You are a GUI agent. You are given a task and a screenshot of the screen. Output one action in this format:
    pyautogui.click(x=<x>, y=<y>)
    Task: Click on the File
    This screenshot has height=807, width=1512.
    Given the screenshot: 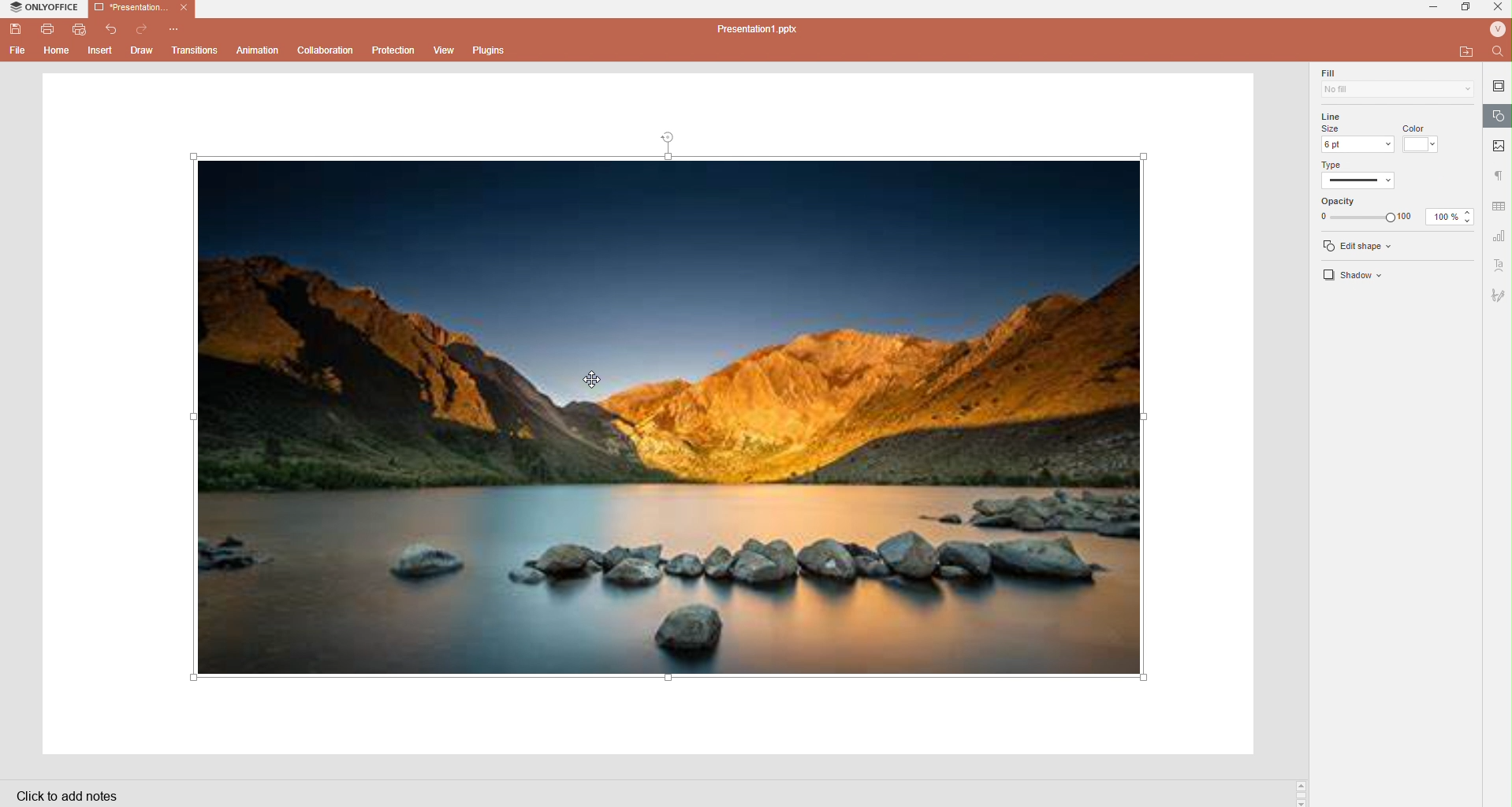 What is the action you would take?
    pyautogui.click(x=16, y=52)
    